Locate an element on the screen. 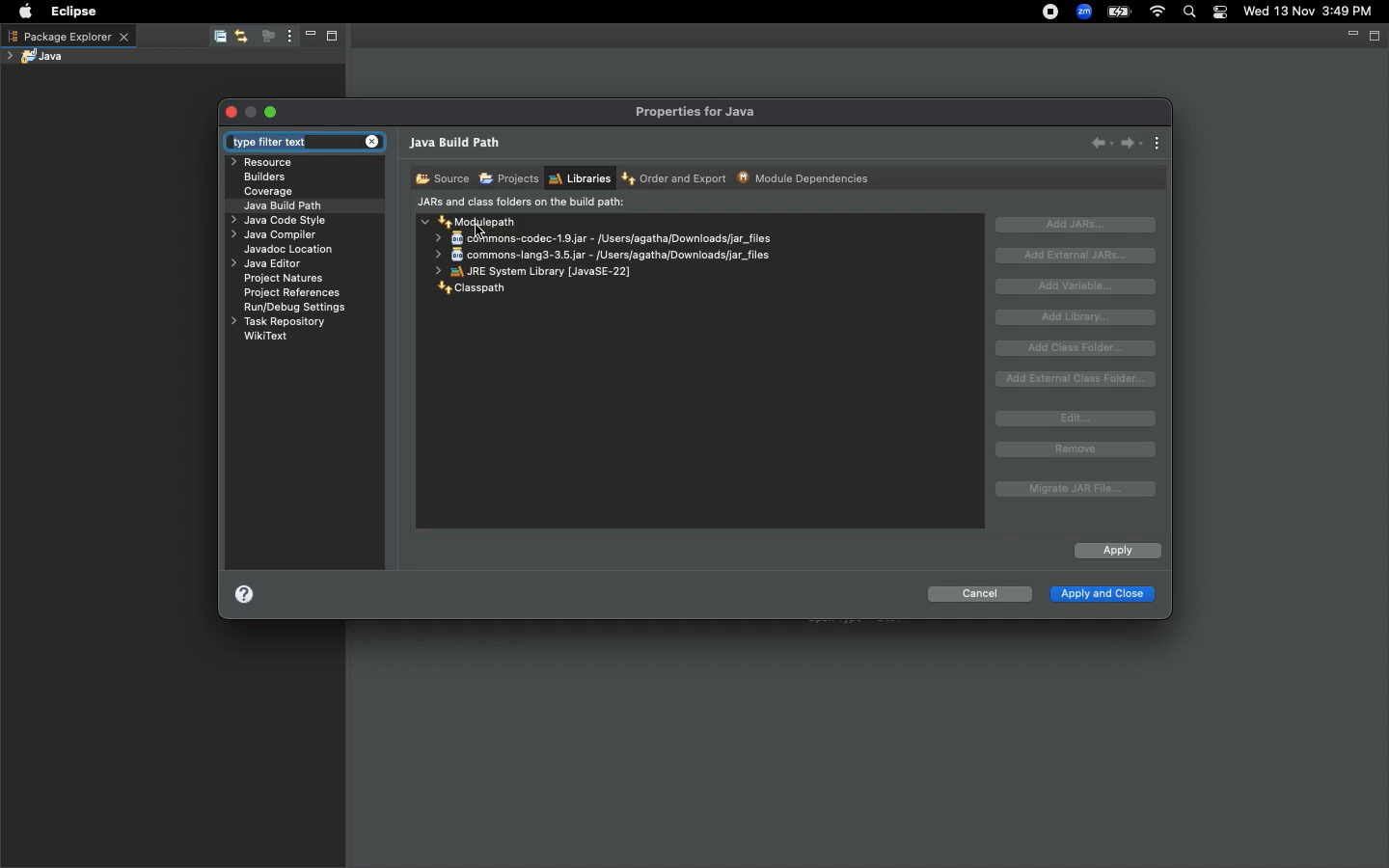  Forward is located at coordinates (1131, 143).